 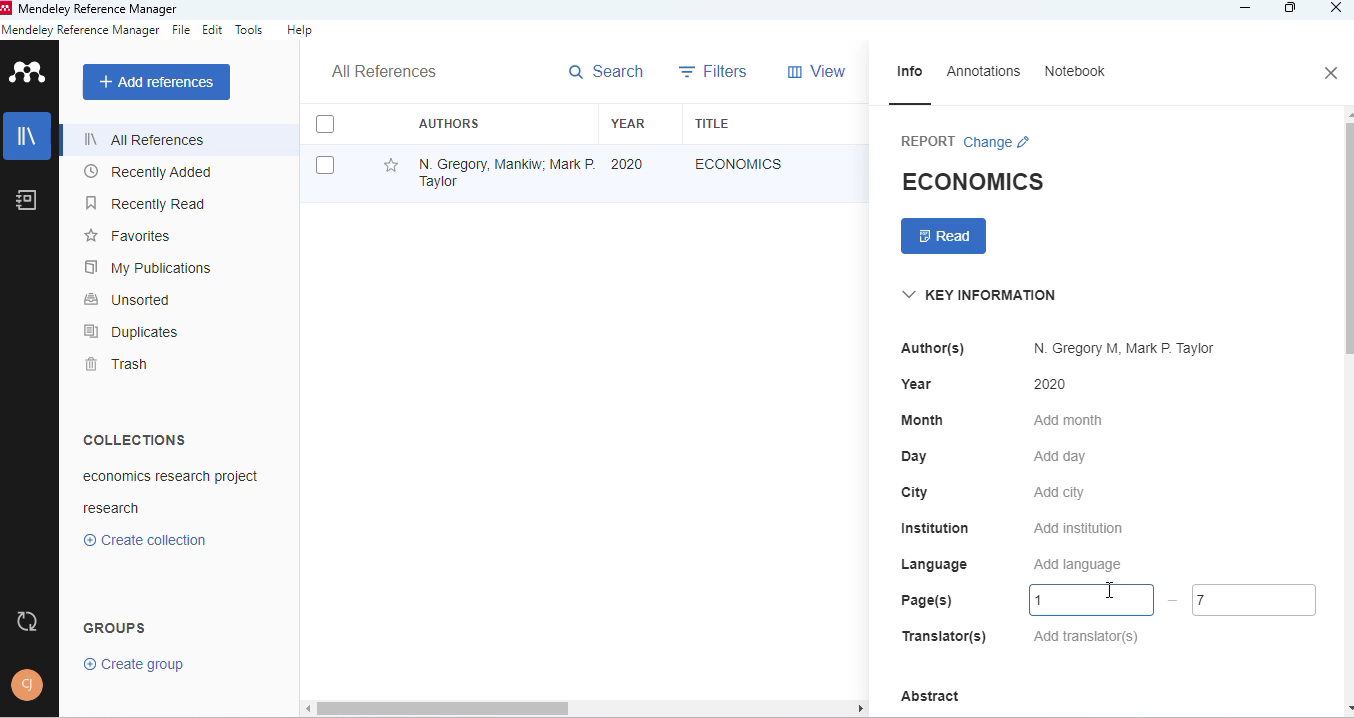 What do you see at coordinates (1172, 600) in the screenshot?
I see `-` at bounding box center [1172, 600].